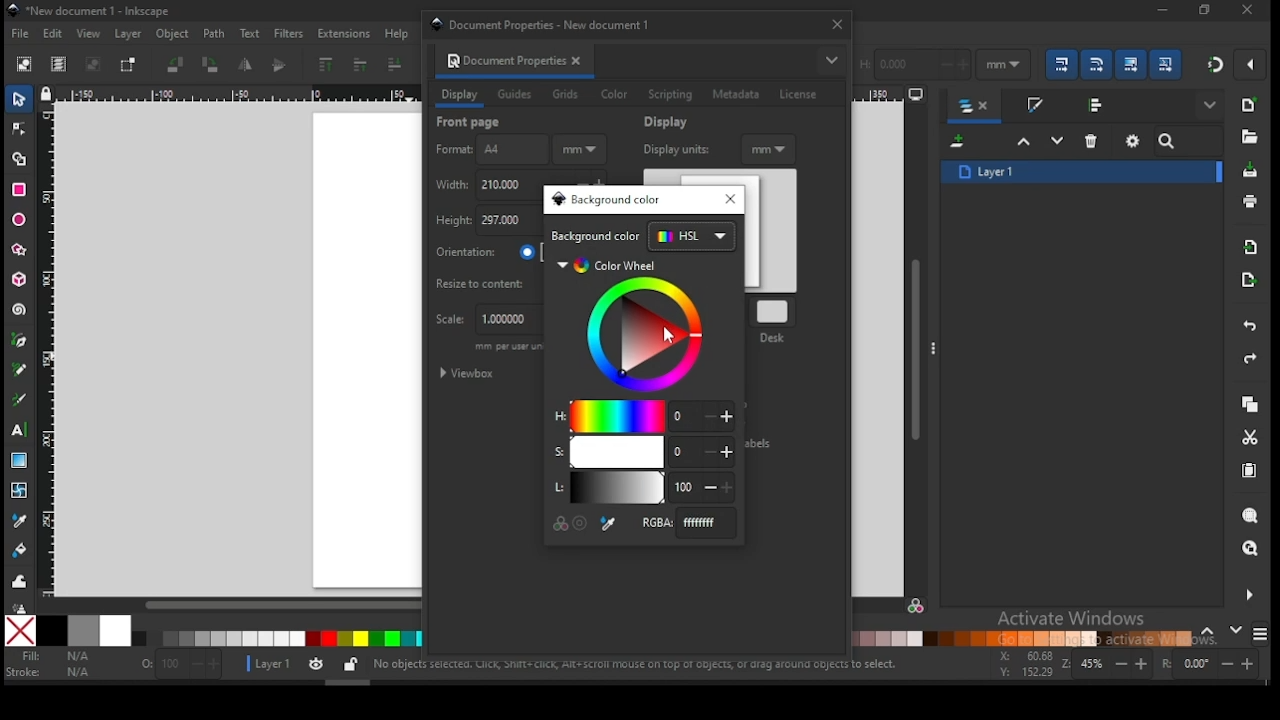 This screenshot has height=720, width=1280. I want to click on shape builder tool, so click(20, 157).